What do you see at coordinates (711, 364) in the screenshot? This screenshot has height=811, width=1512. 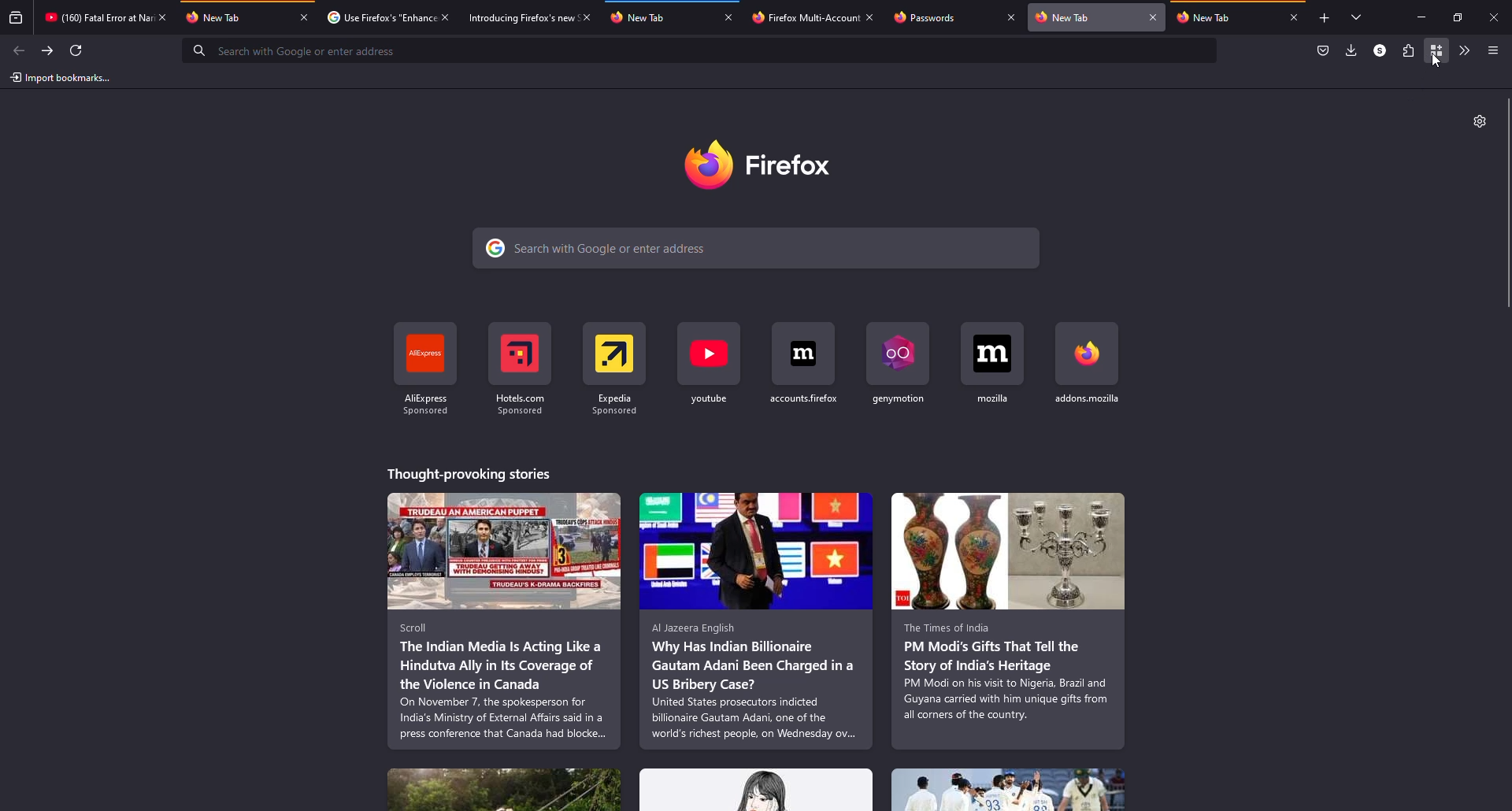 I see `shortcut` at bounding box center [711, 364].